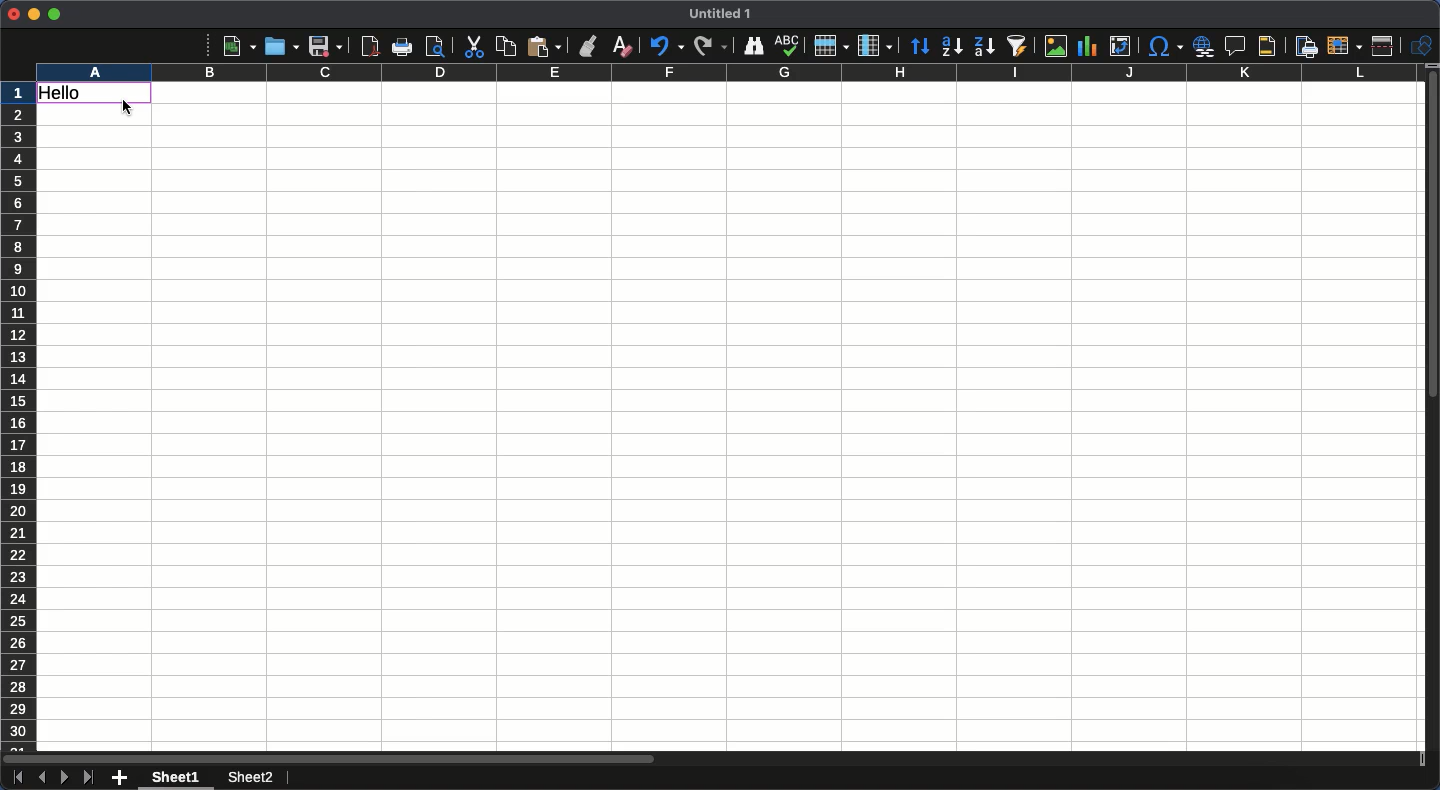  I want to click on Save, so click(325, 46).